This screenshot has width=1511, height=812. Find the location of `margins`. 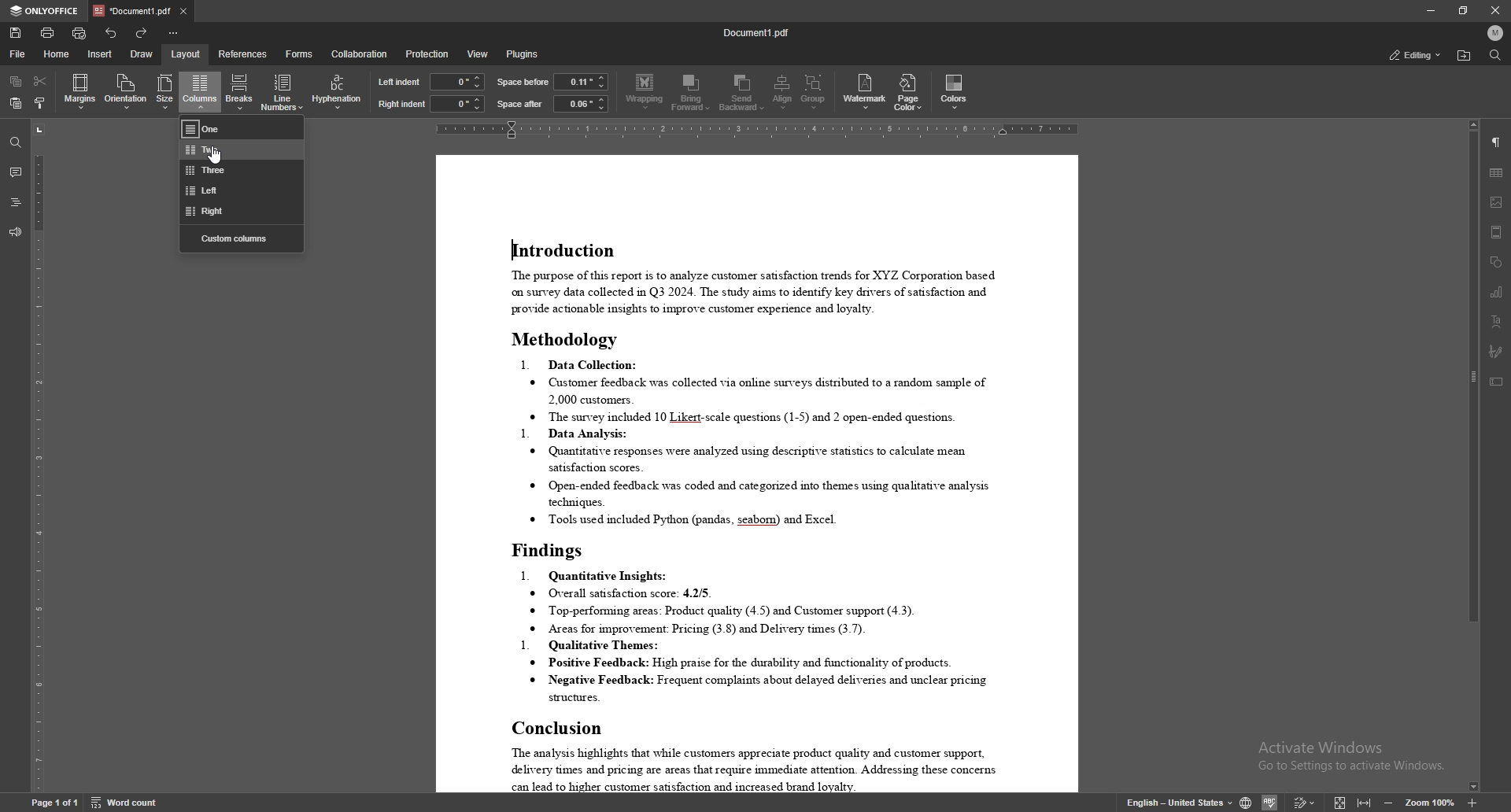

margins is located at coordinates (80, 92).